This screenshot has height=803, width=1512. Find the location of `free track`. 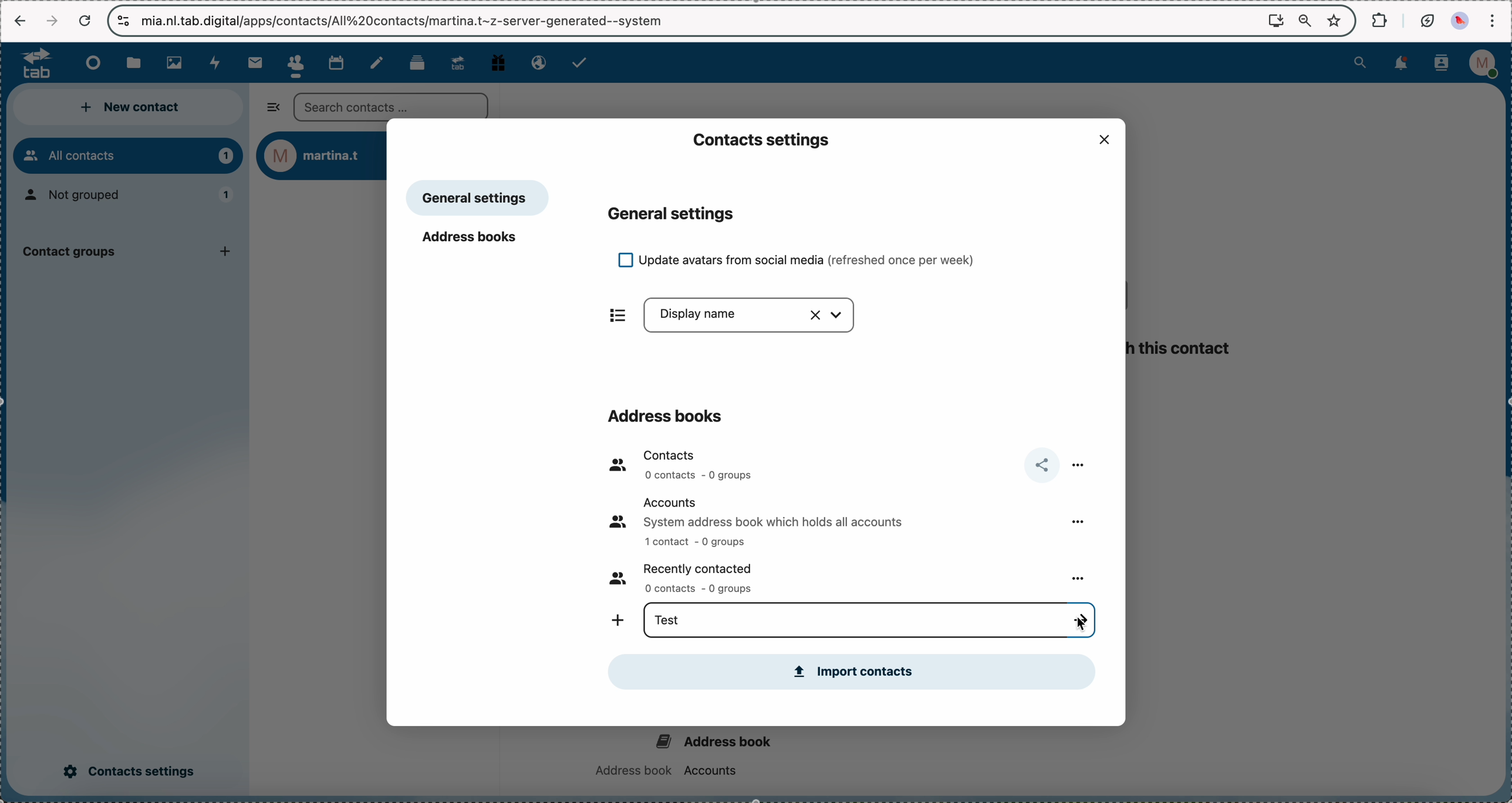

free track is located at coordinates (497, 61).